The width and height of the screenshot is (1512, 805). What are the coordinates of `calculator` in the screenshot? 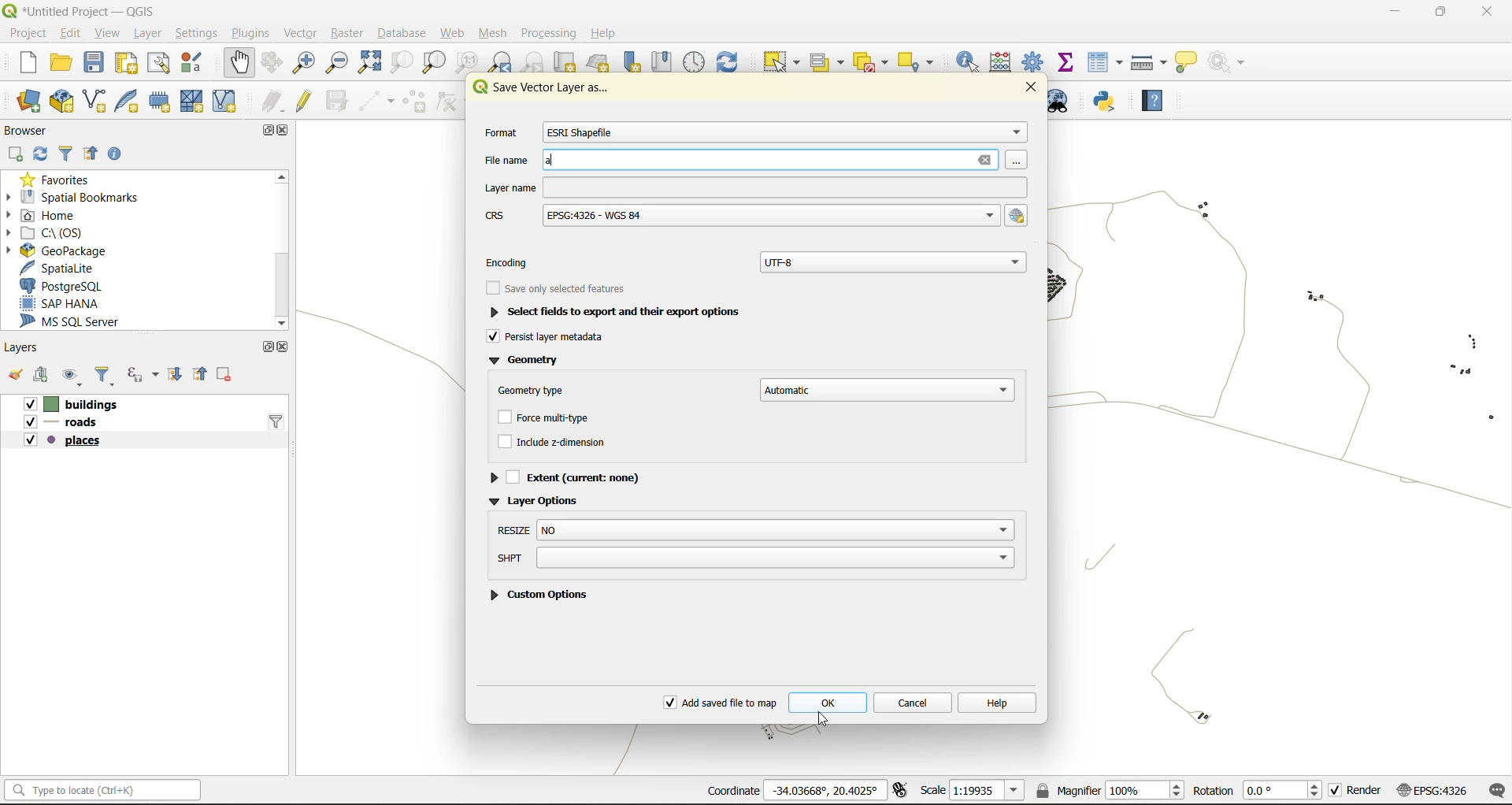 It's located at (1001, 61).